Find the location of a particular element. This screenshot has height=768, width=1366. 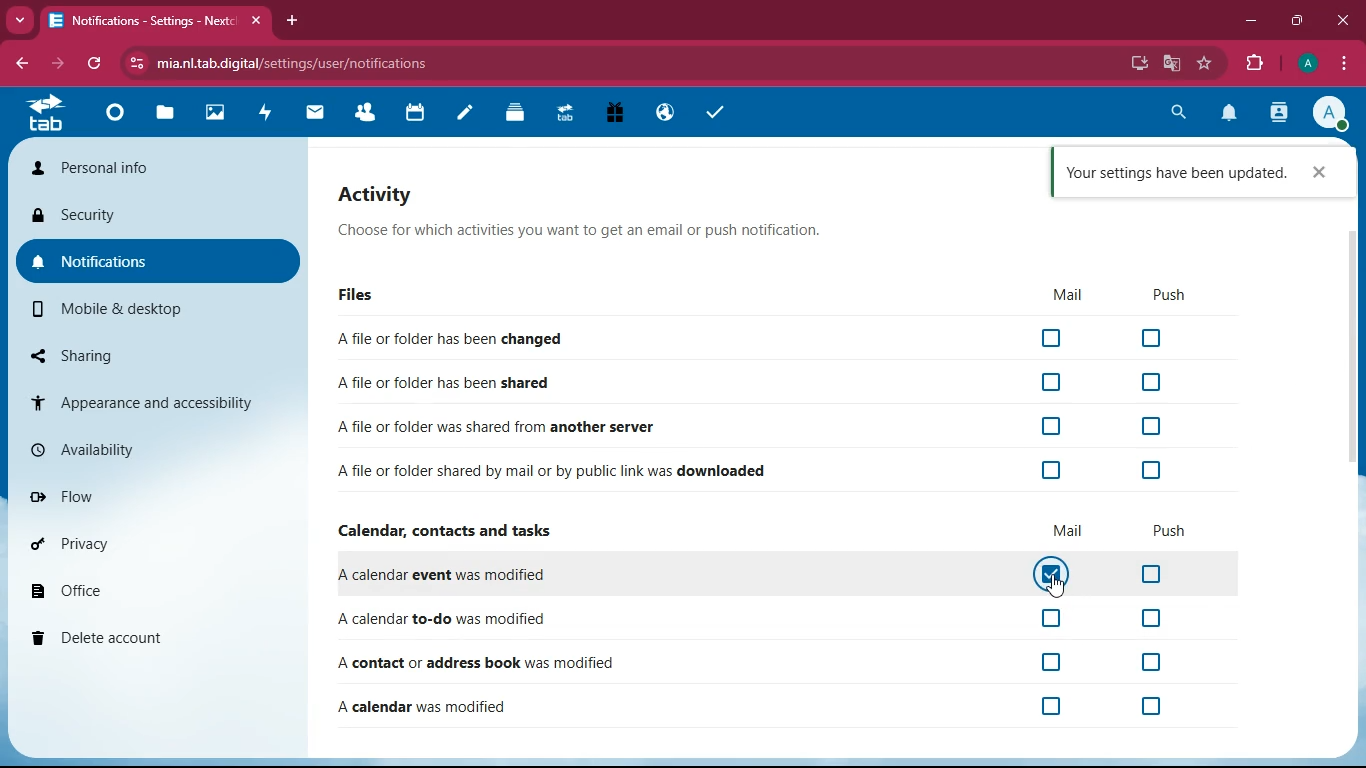

A file or folder was shared from another server is located at coordinates (762, 428).